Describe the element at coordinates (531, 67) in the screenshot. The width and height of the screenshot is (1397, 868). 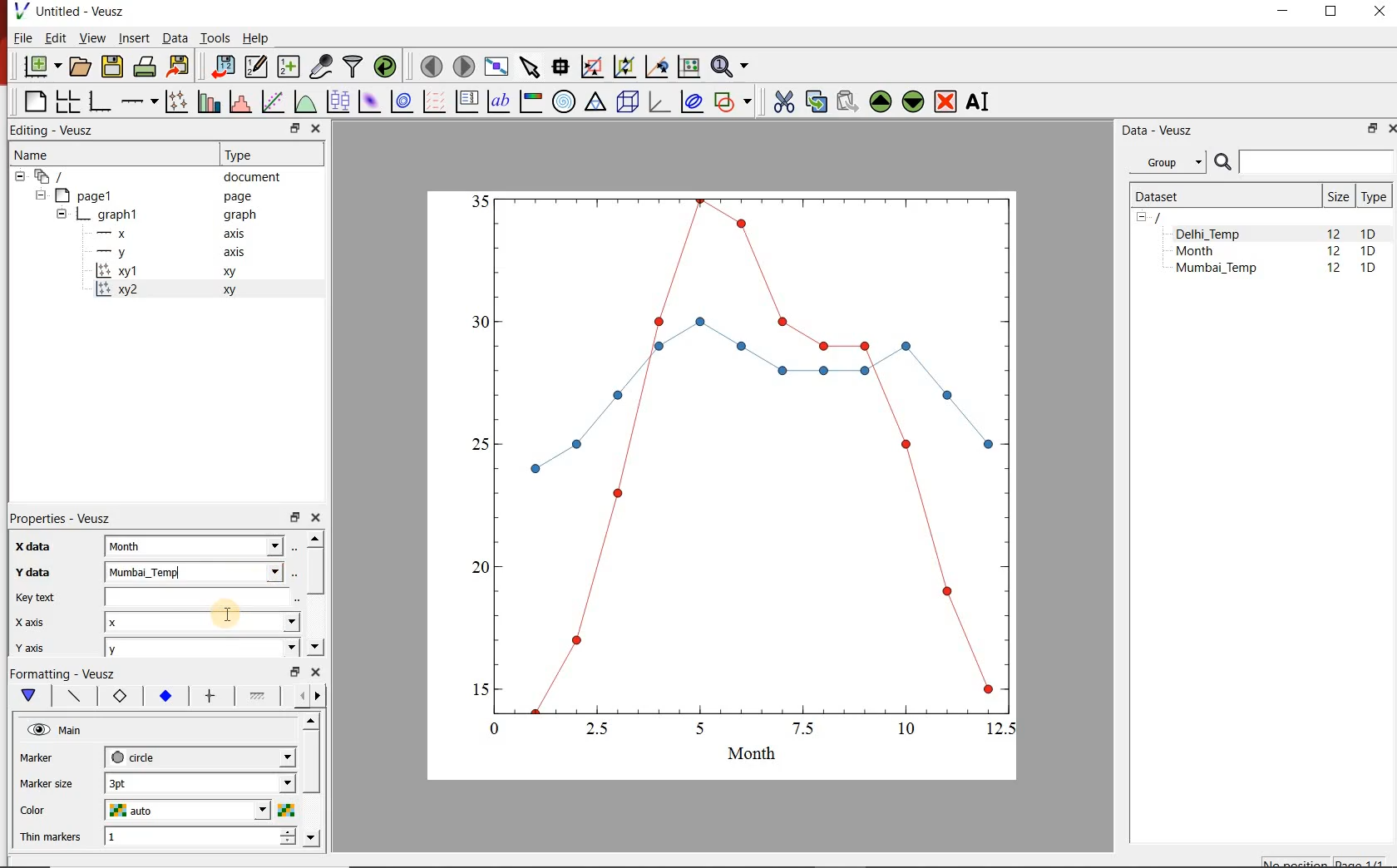
I see `select items from the graph or scroll` at that location.